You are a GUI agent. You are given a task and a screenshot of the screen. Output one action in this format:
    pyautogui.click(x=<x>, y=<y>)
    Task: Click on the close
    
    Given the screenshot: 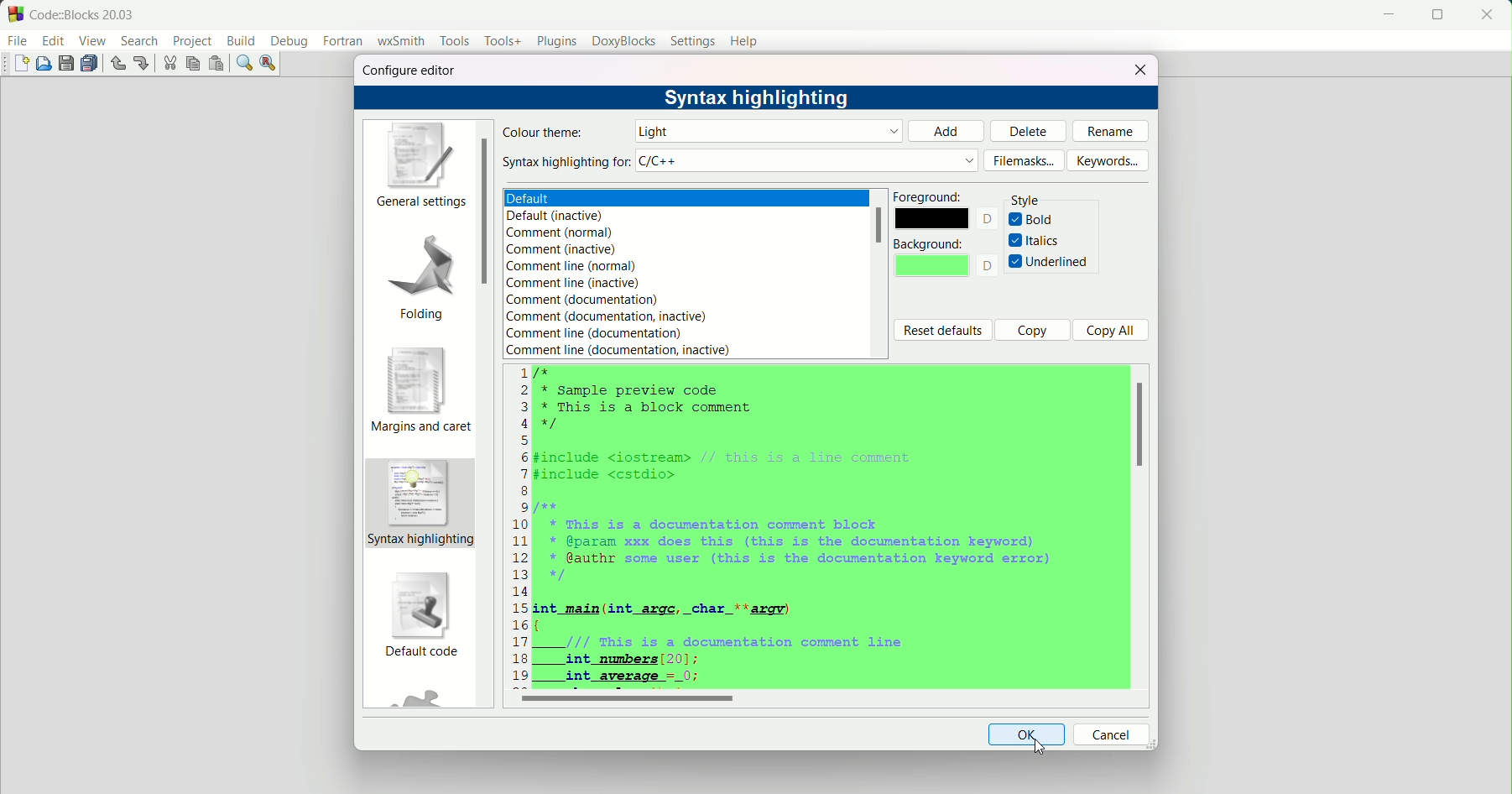 What is the action you would take?
    pyautogui.click(x=1487, y=15)
    